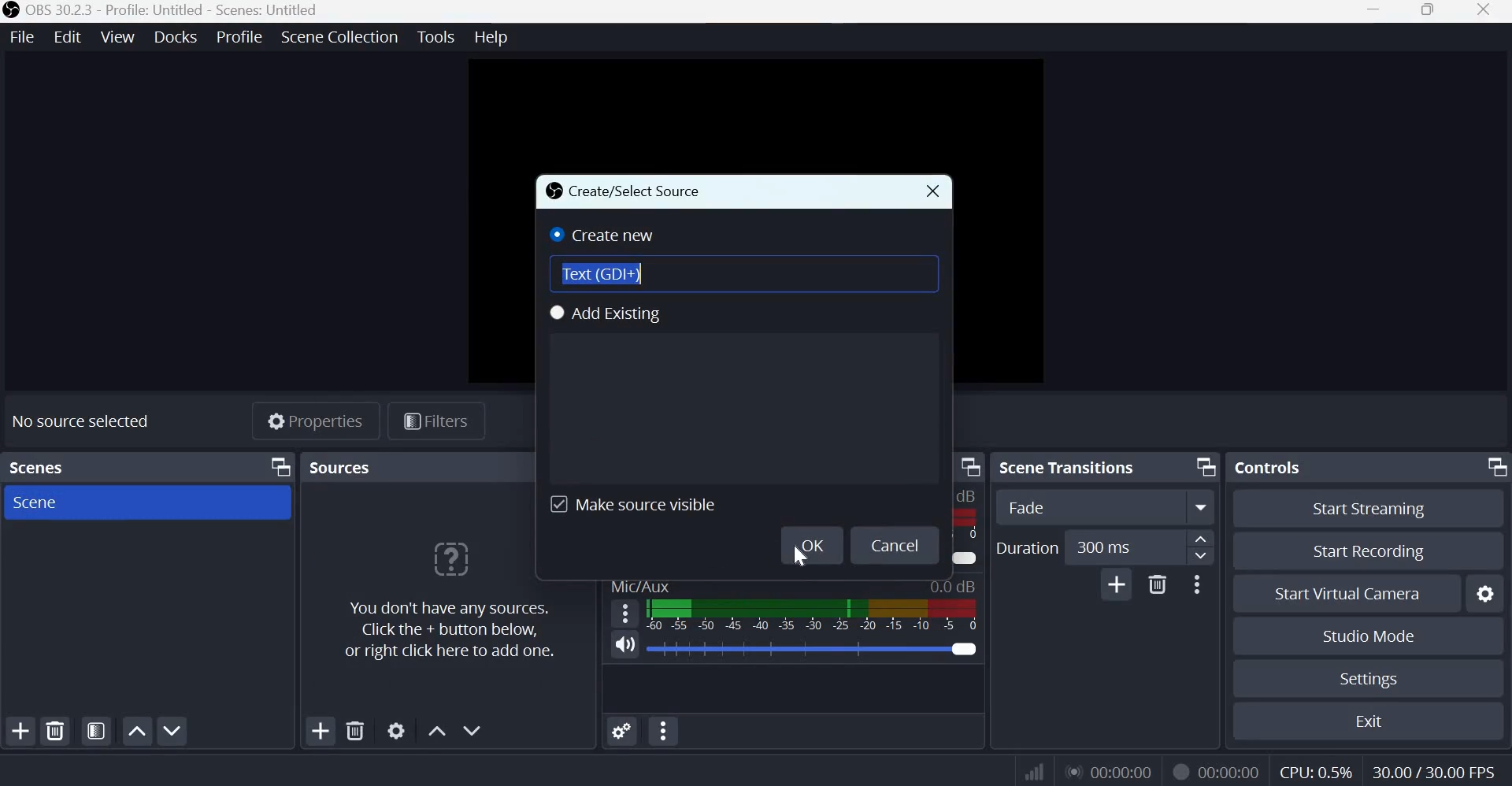 The width and height of the screenshot is (1512, 786). Describe the element at coordinates (1370, 679) in the screenshot. I see `Settings` at that location.